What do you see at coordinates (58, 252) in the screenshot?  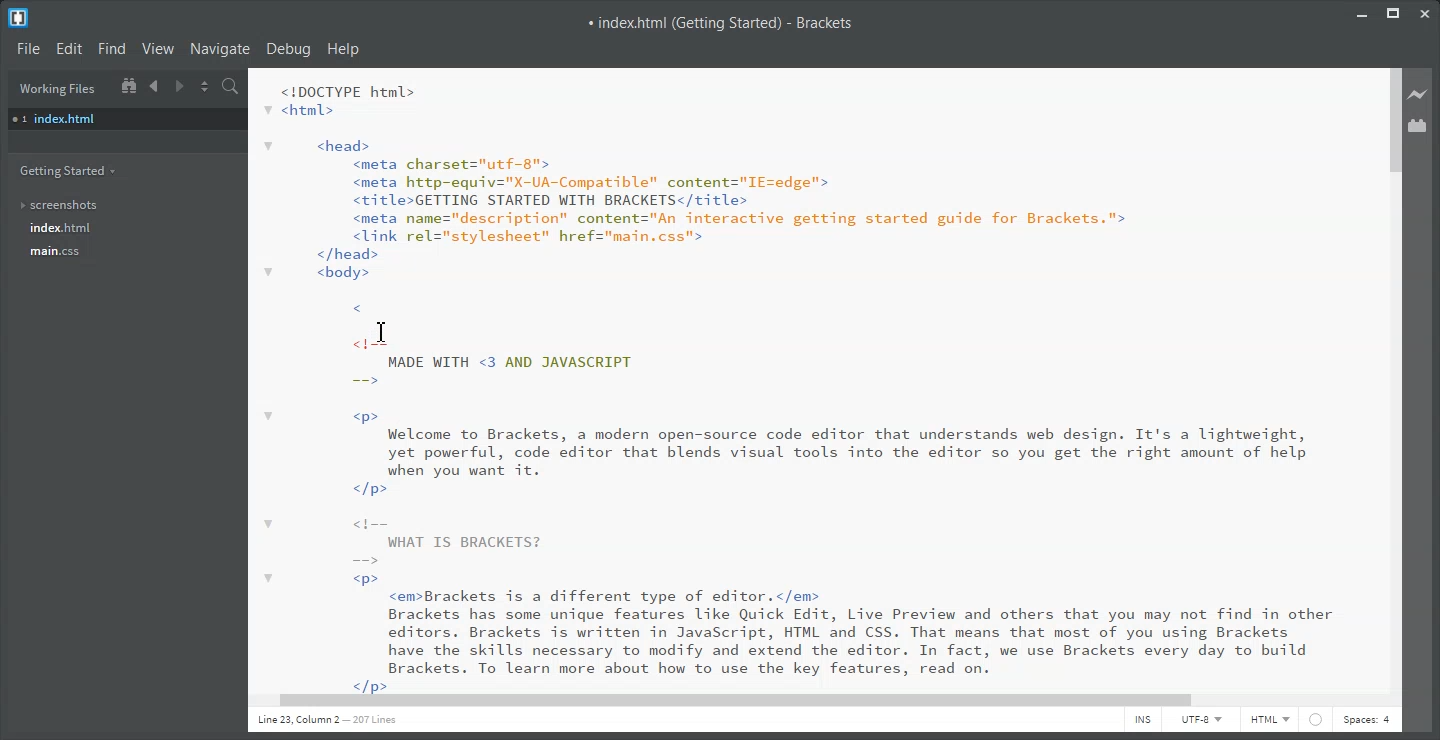 I see `main.css` at bounding box center [58, 252].